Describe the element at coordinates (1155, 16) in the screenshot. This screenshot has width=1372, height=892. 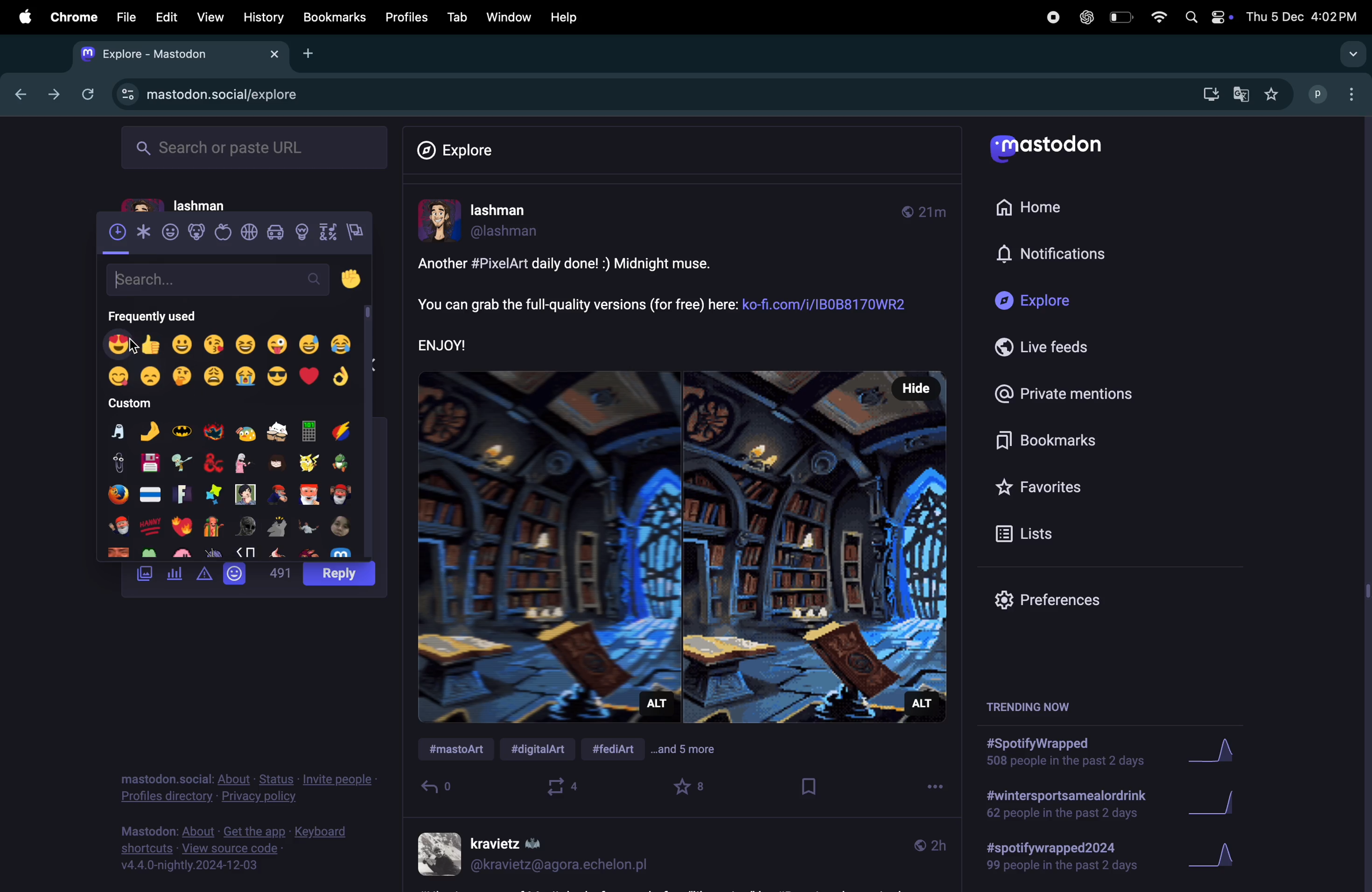
I see `wifi` at that location.